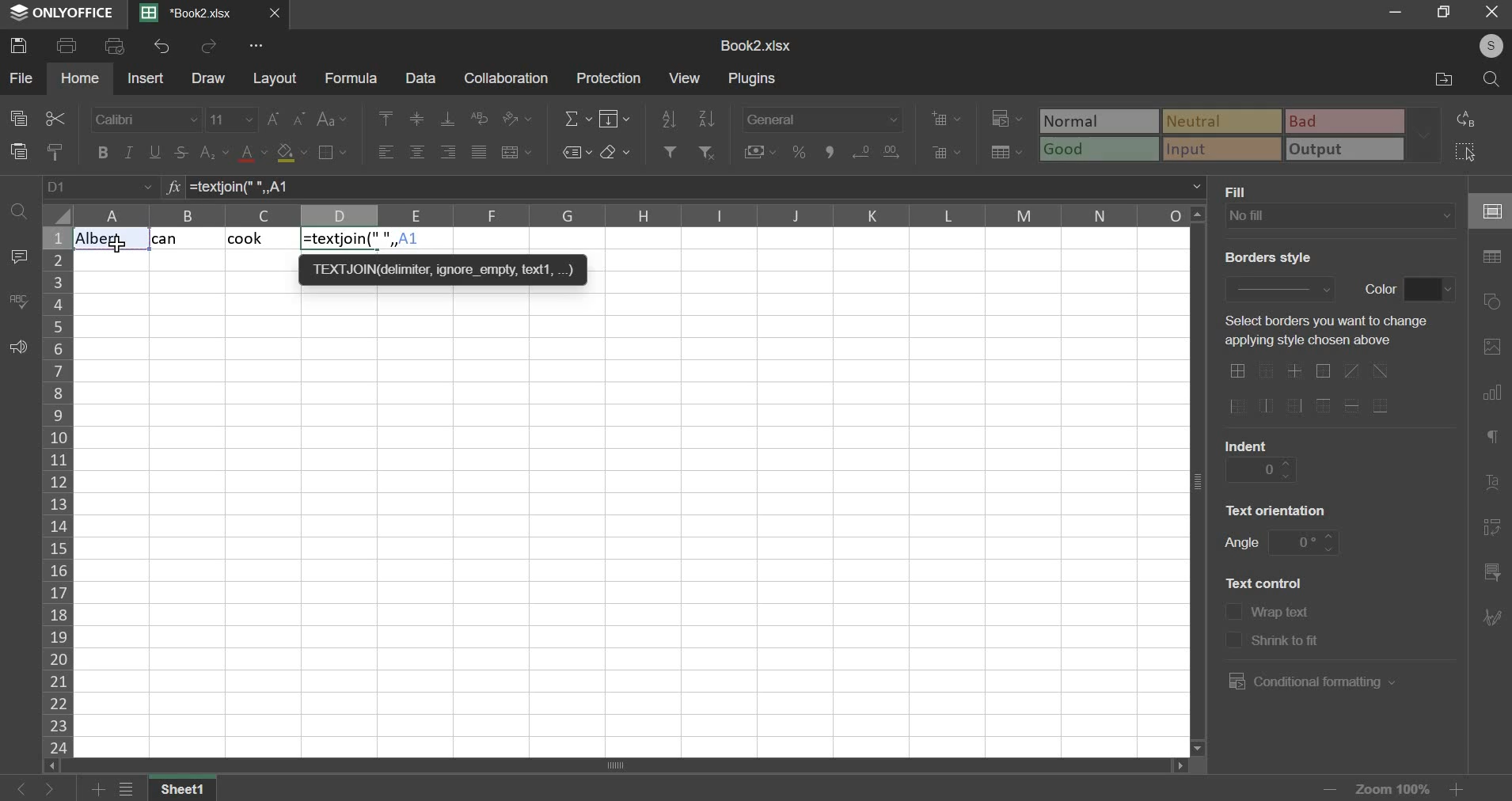 Image resolution: width=1512 pixels, height=801 pixels. Describe the element at coordinates (188, 790) in the screenshot. I see `sheet name` at that location.